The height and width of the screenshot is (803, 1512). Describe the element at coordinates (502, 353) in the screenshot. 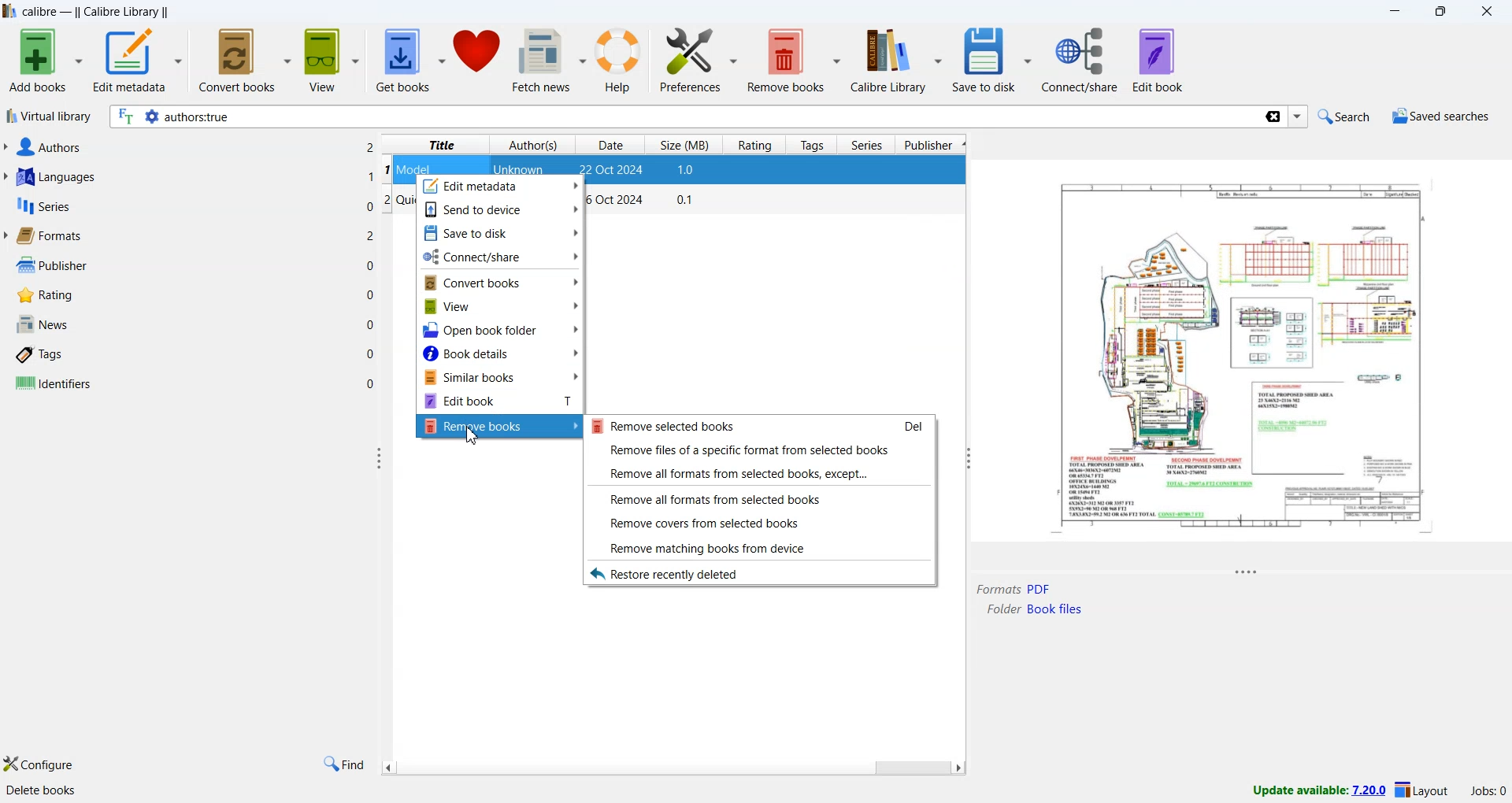

I see `Book details` at that location.